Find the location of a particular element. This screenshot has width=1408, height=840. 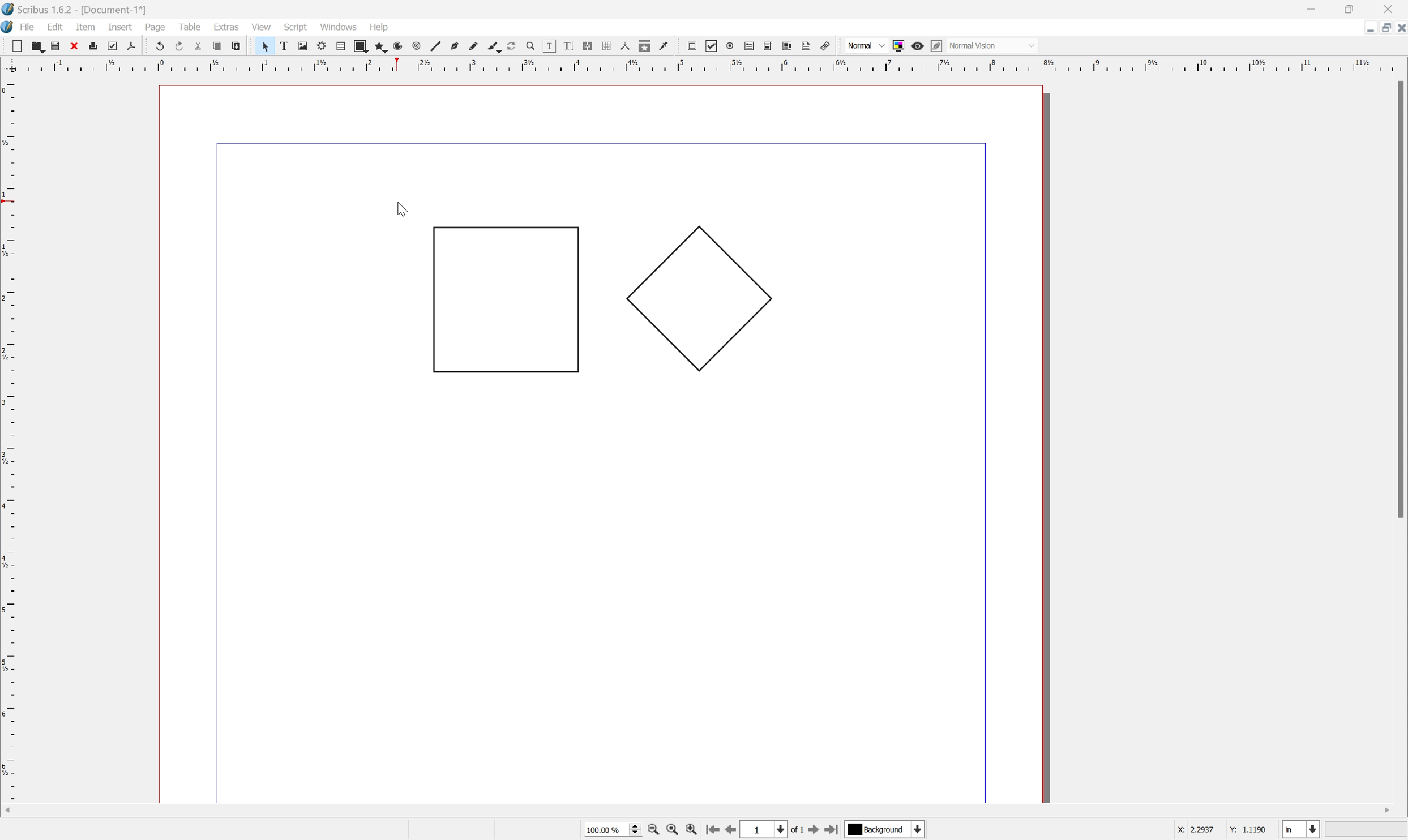

Go to previous page is located at coordinates (730, 830).